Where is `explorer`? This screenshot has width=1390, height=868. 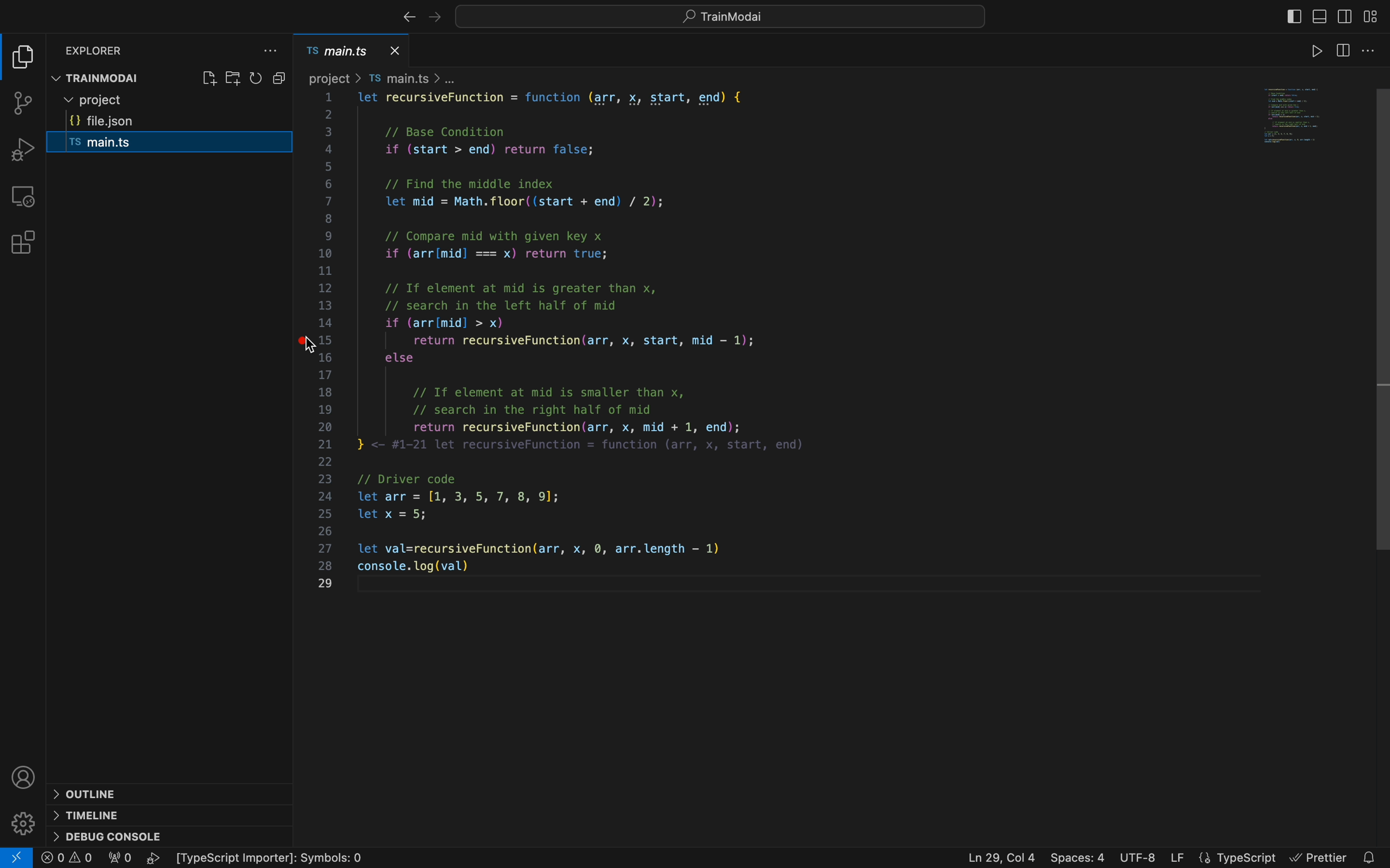 explorer is located at coordinates (104, 51).